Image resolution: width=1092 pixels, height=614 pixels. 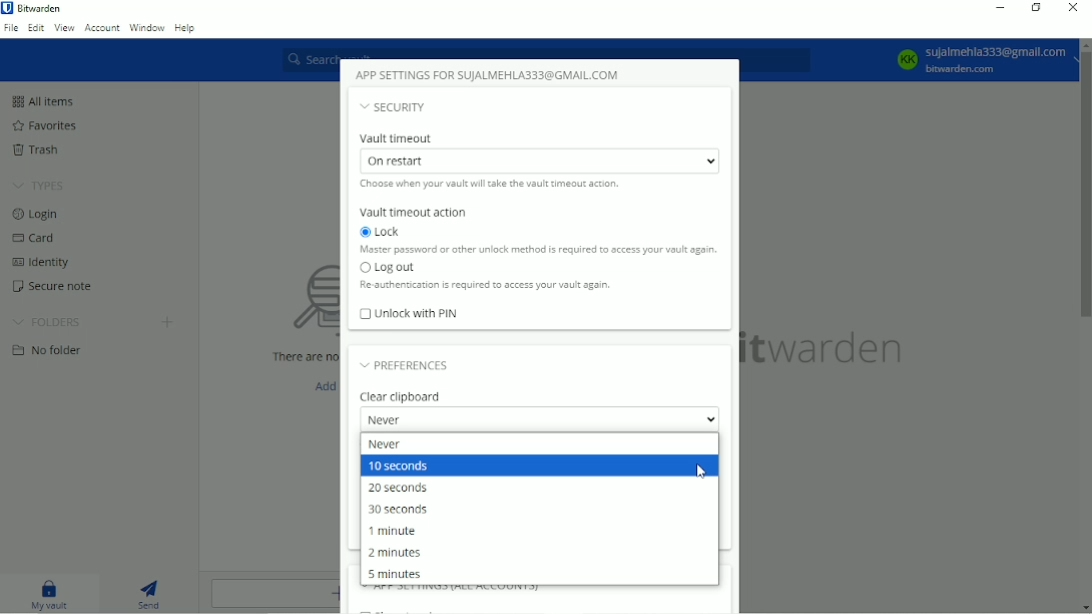 I want to click on All items, so click(x=52, y=98).